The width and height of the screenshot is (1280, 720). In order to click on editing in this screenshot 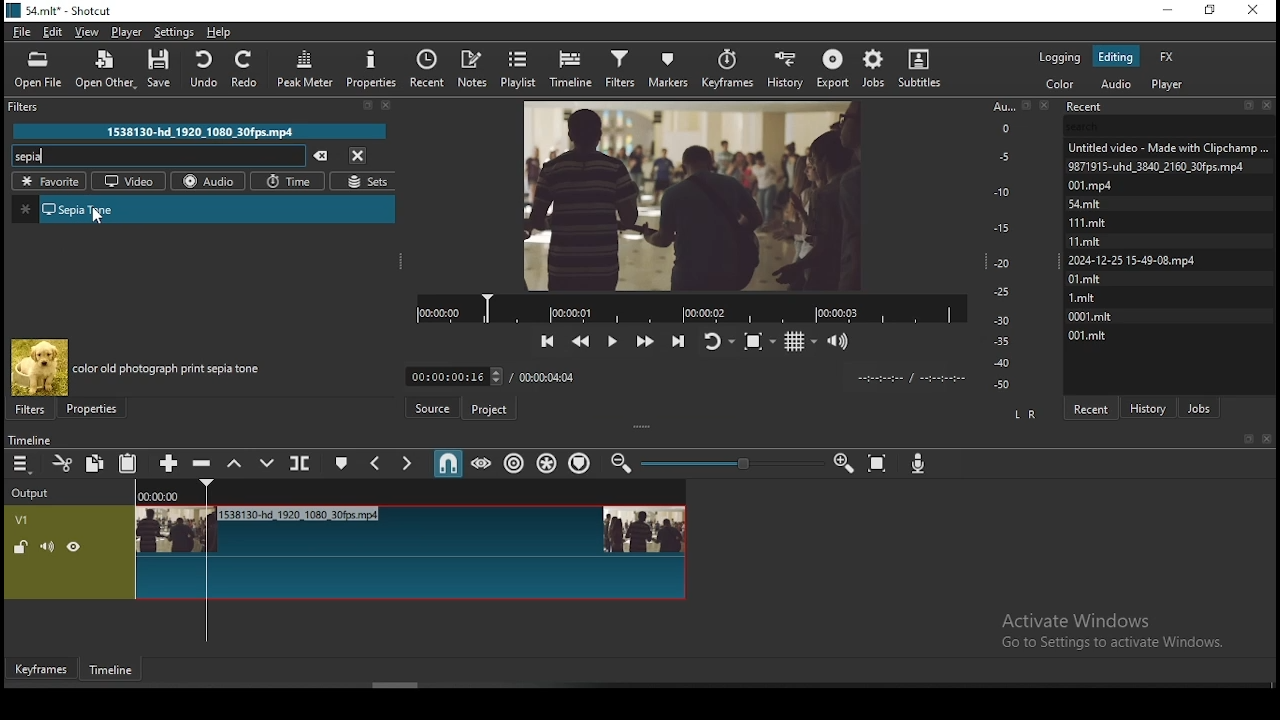, I will do `click(1115, 56)`.